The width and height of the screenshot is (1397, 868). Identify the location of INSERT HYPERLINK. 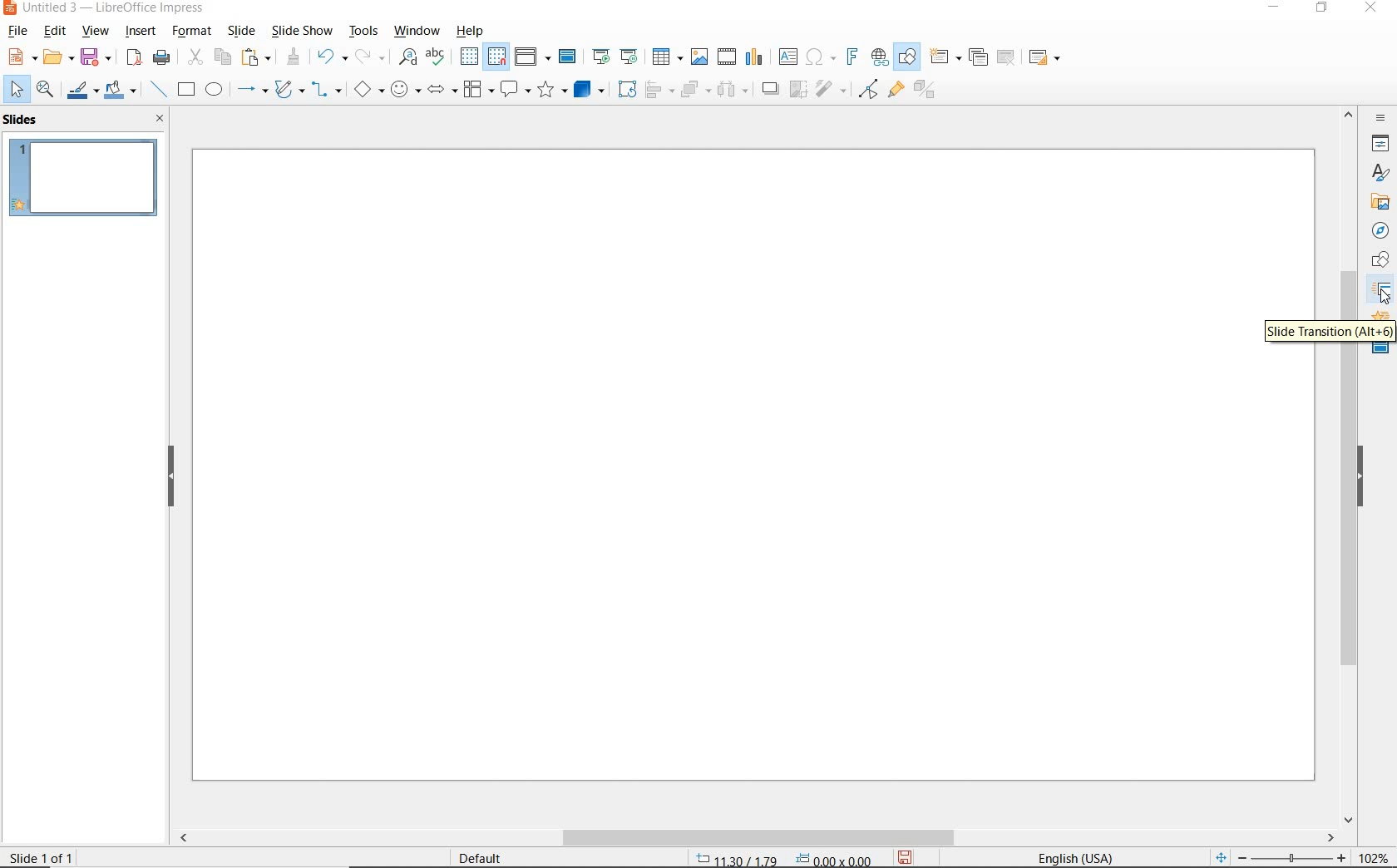
(879, 57).